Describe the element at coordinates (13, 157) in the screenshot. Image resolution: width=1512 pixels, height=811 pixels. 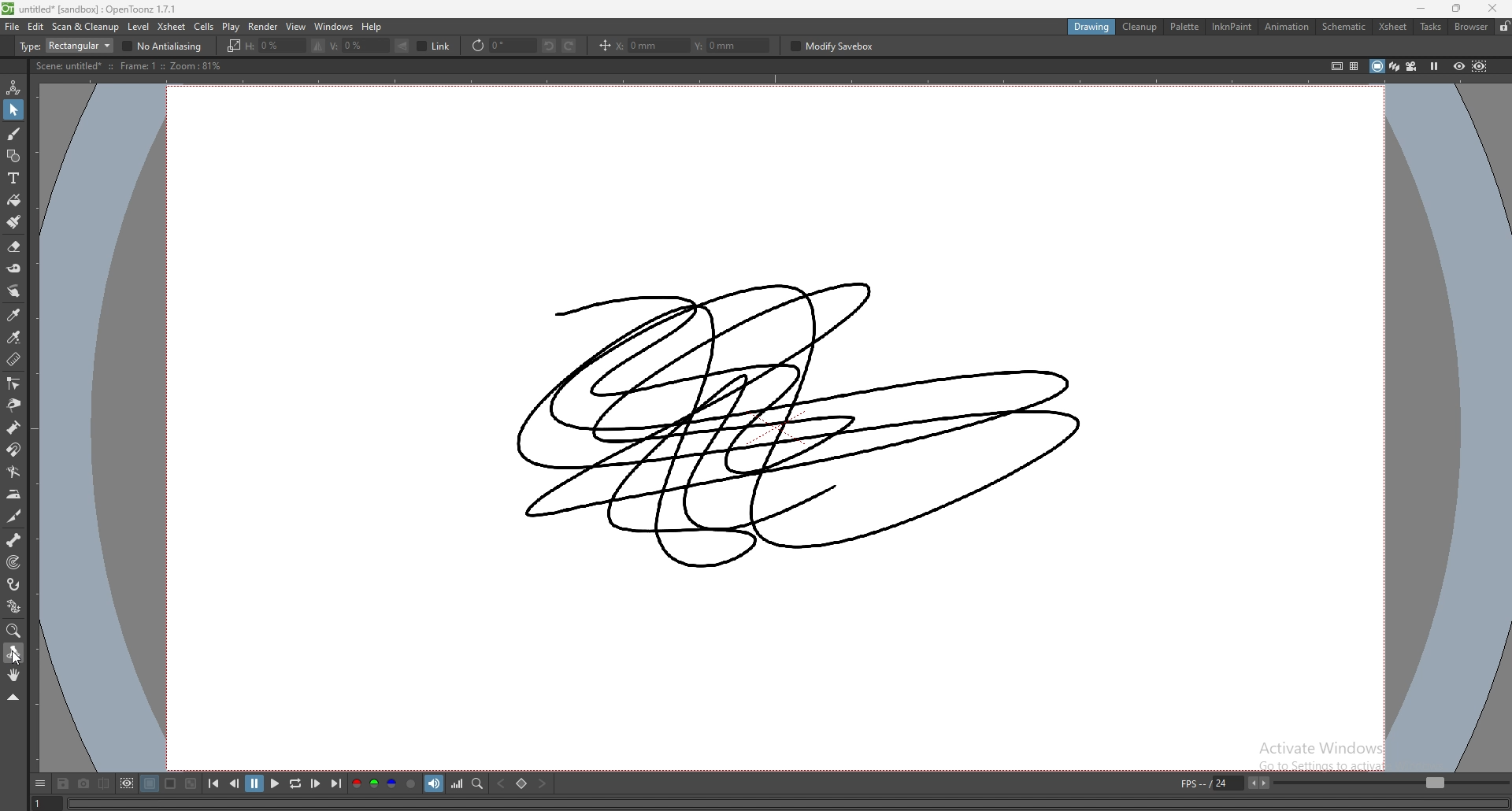
I see `shapes tool` at that location.